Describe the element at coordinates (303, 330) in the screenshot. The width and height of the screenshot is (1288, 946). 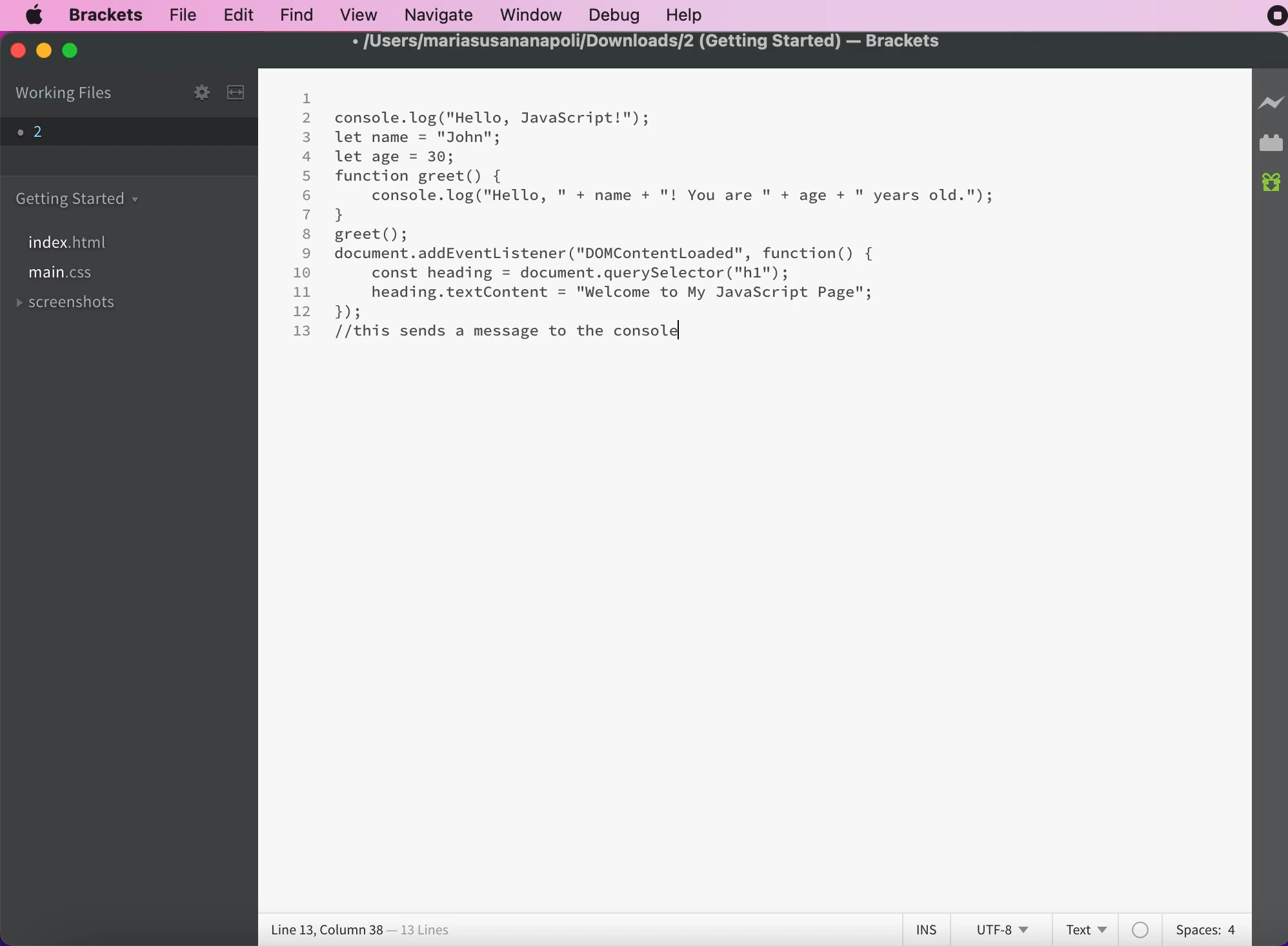
I see `13` at that location.